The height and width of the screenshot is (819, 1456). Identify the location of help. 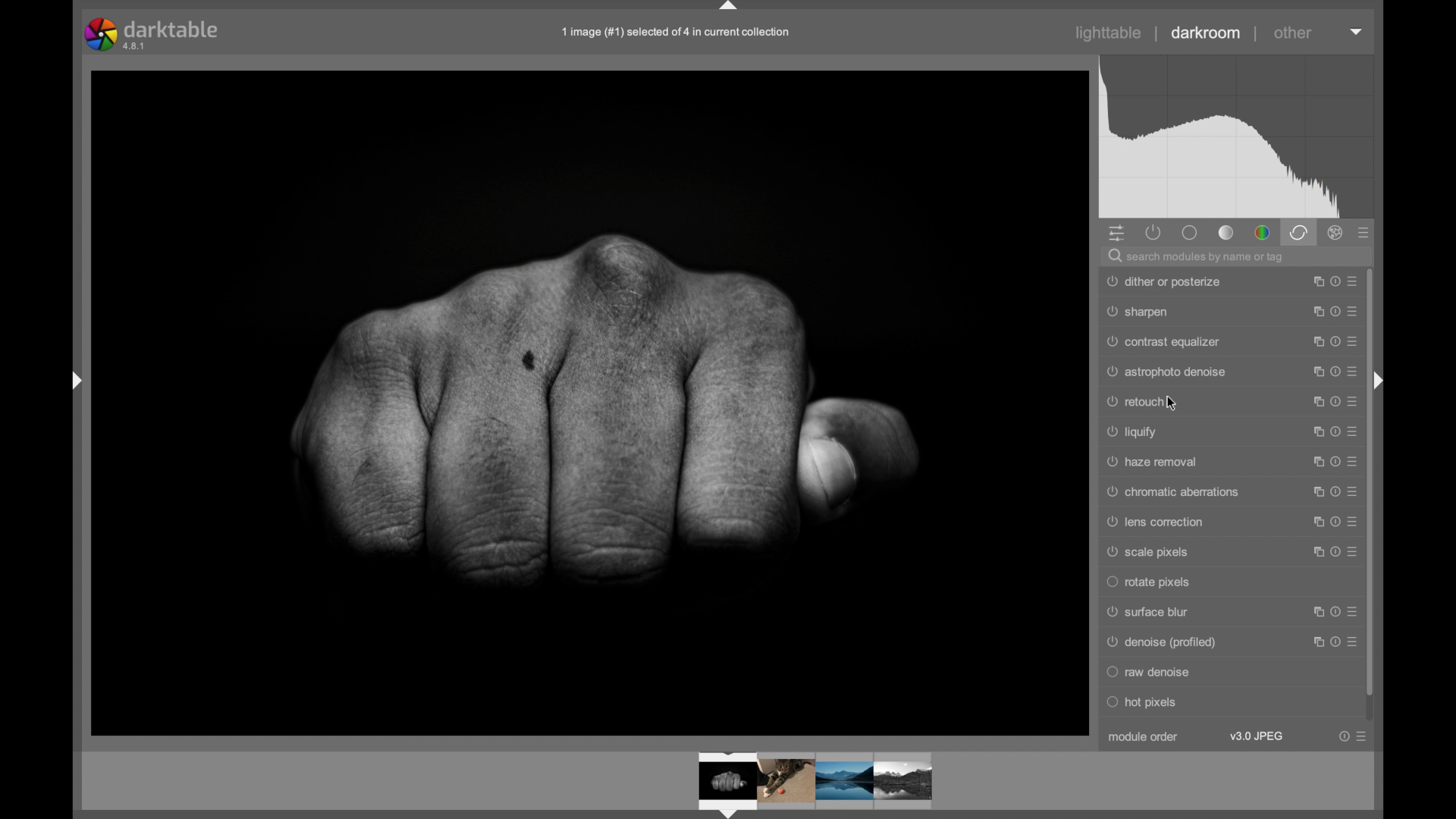
(1332, 431).